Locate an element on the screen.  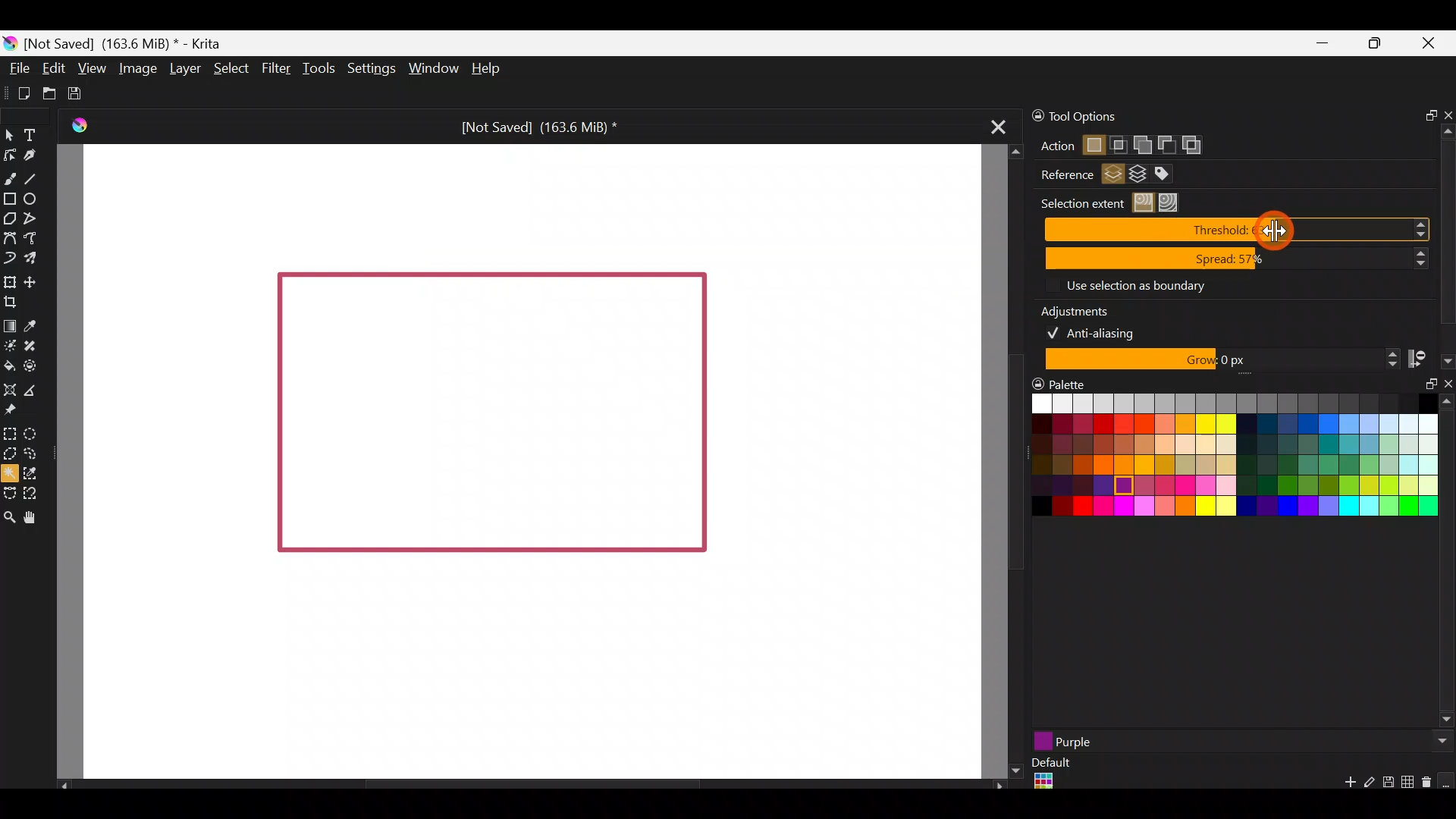
Transform a layer/selection is located at coordinates (9, 280).